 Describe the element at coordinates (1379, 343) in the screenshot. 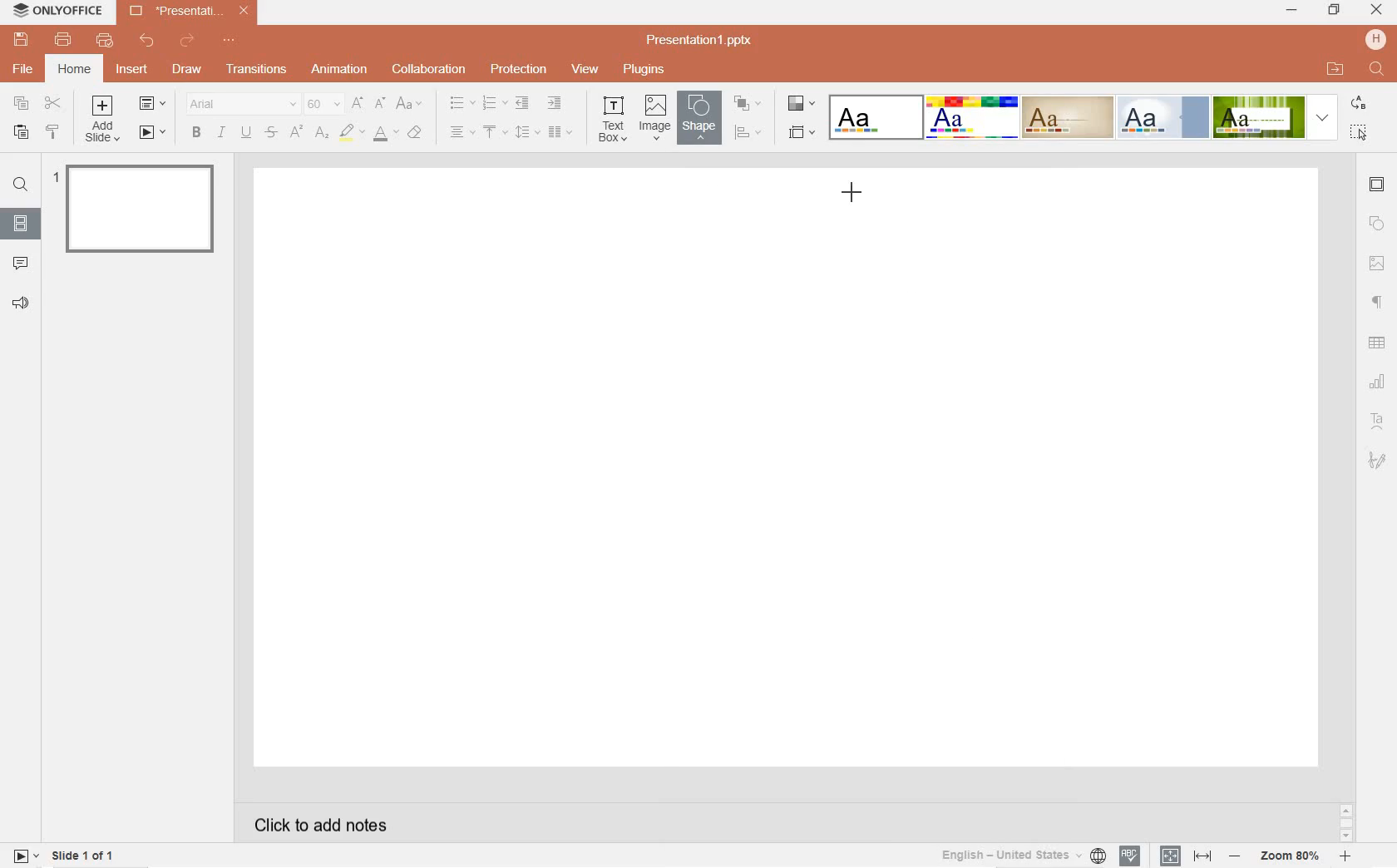

I see `table settings` at that location.